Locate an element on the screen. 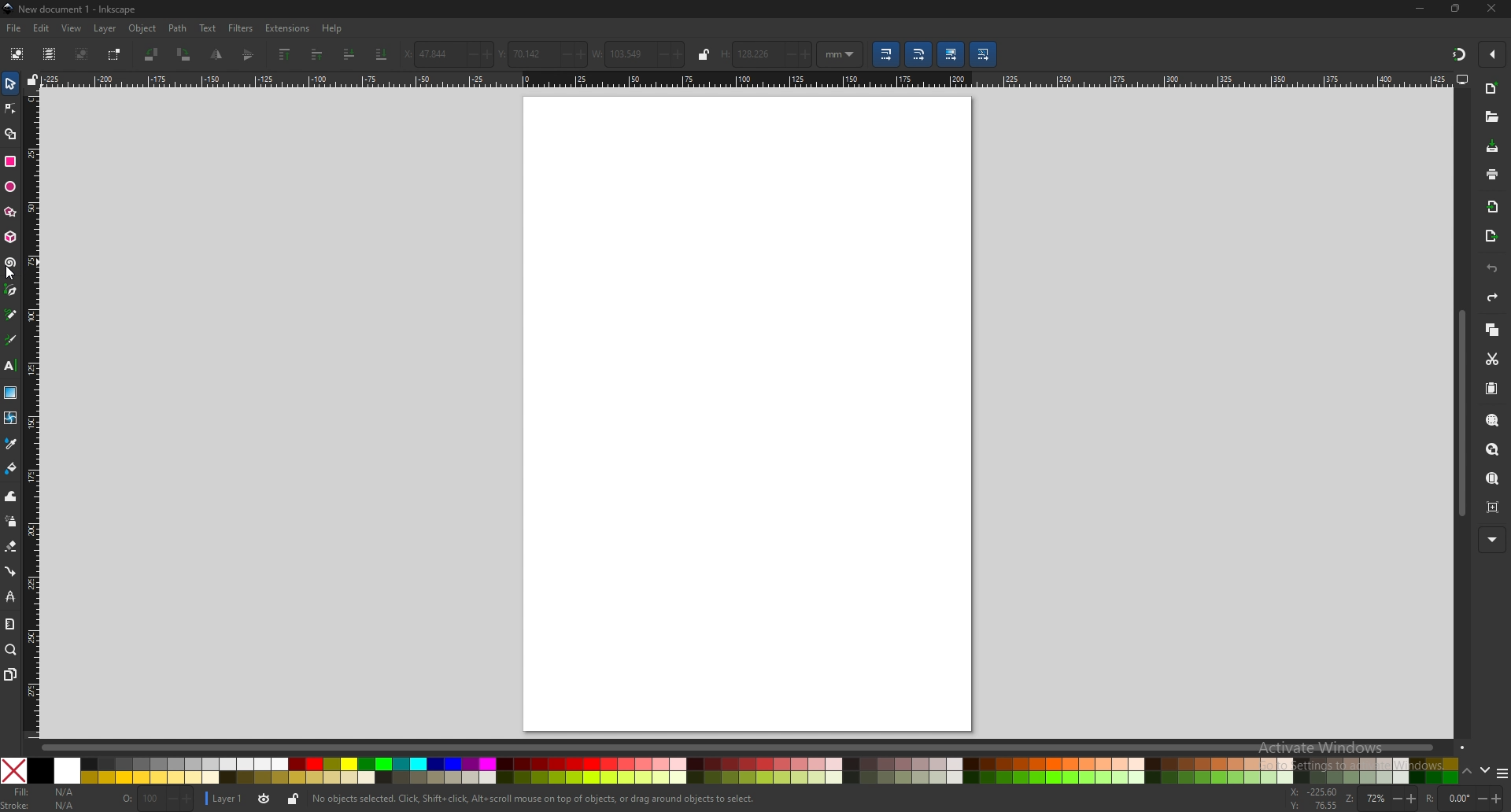  Y: 70.142 is located at coordinates (540, 52).